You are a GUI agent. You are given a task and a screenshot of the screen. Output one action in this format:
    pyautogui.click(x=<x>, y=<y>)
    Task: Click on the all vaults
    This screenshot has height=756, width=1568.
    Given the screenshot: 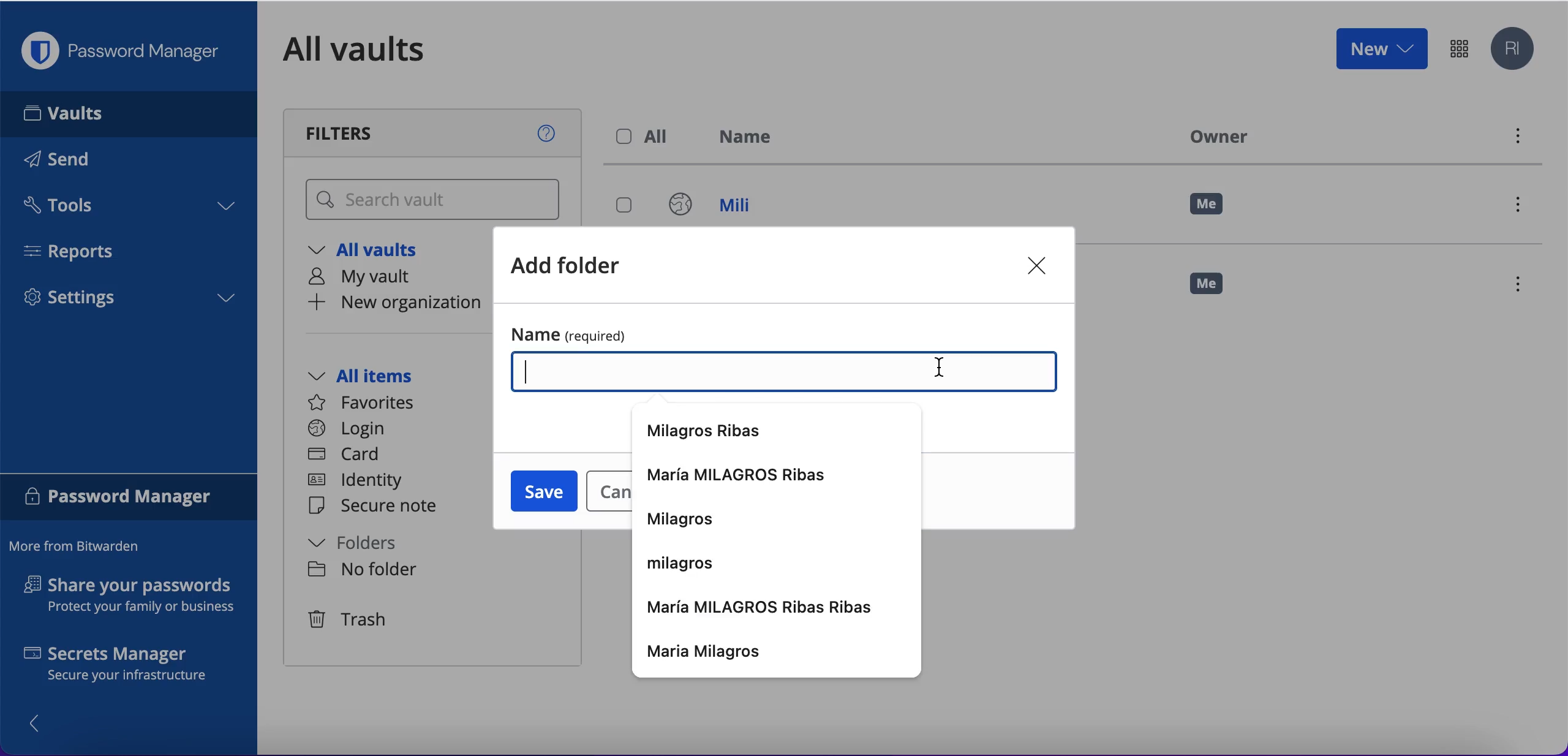 What is the action you would take?
    pyautogui.click(x=372, y=49)
    